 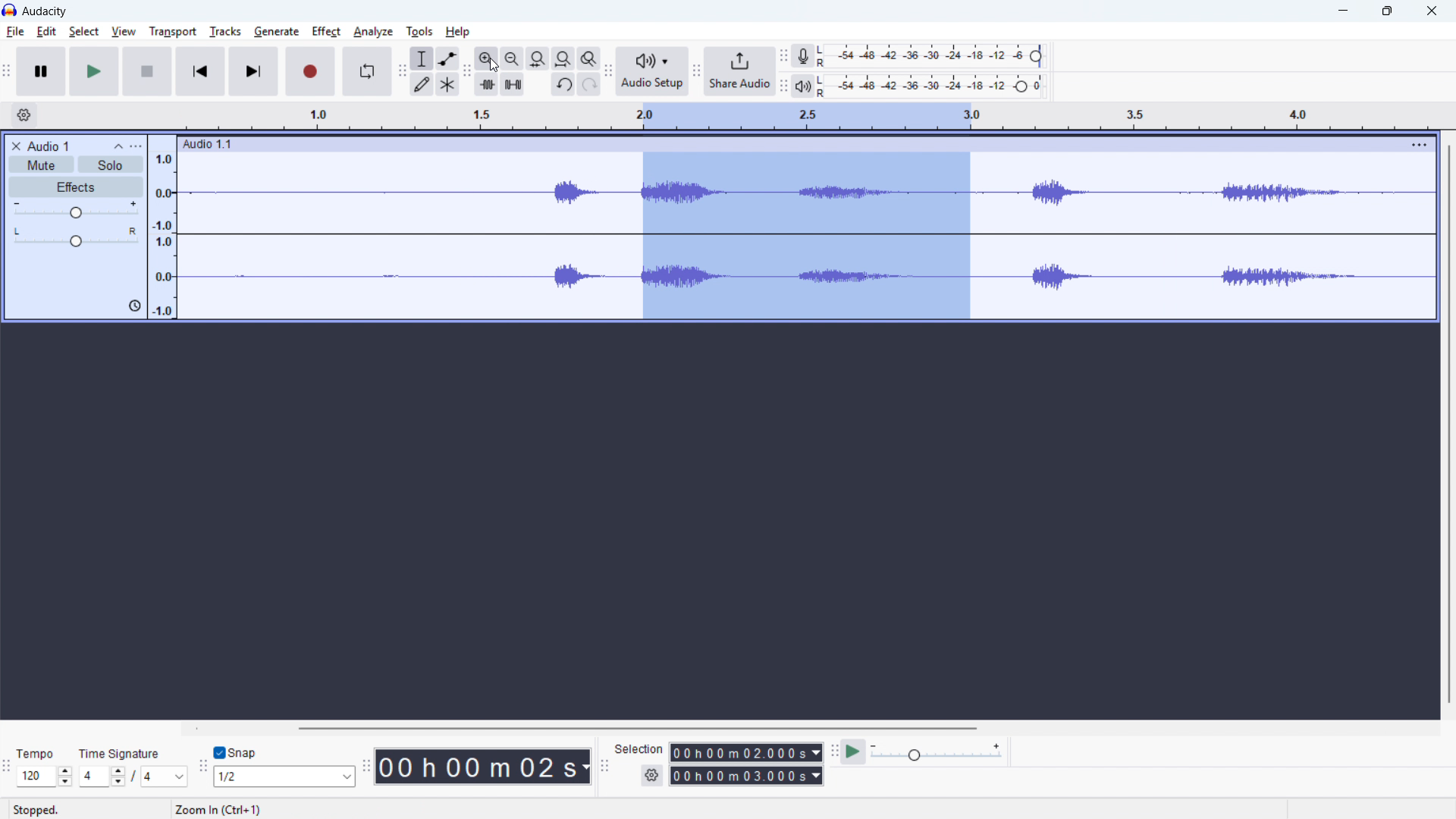 What do you see at coordinates (40, 164) in the screenshot?
I see `Mute` at bounding box center [40, 164].